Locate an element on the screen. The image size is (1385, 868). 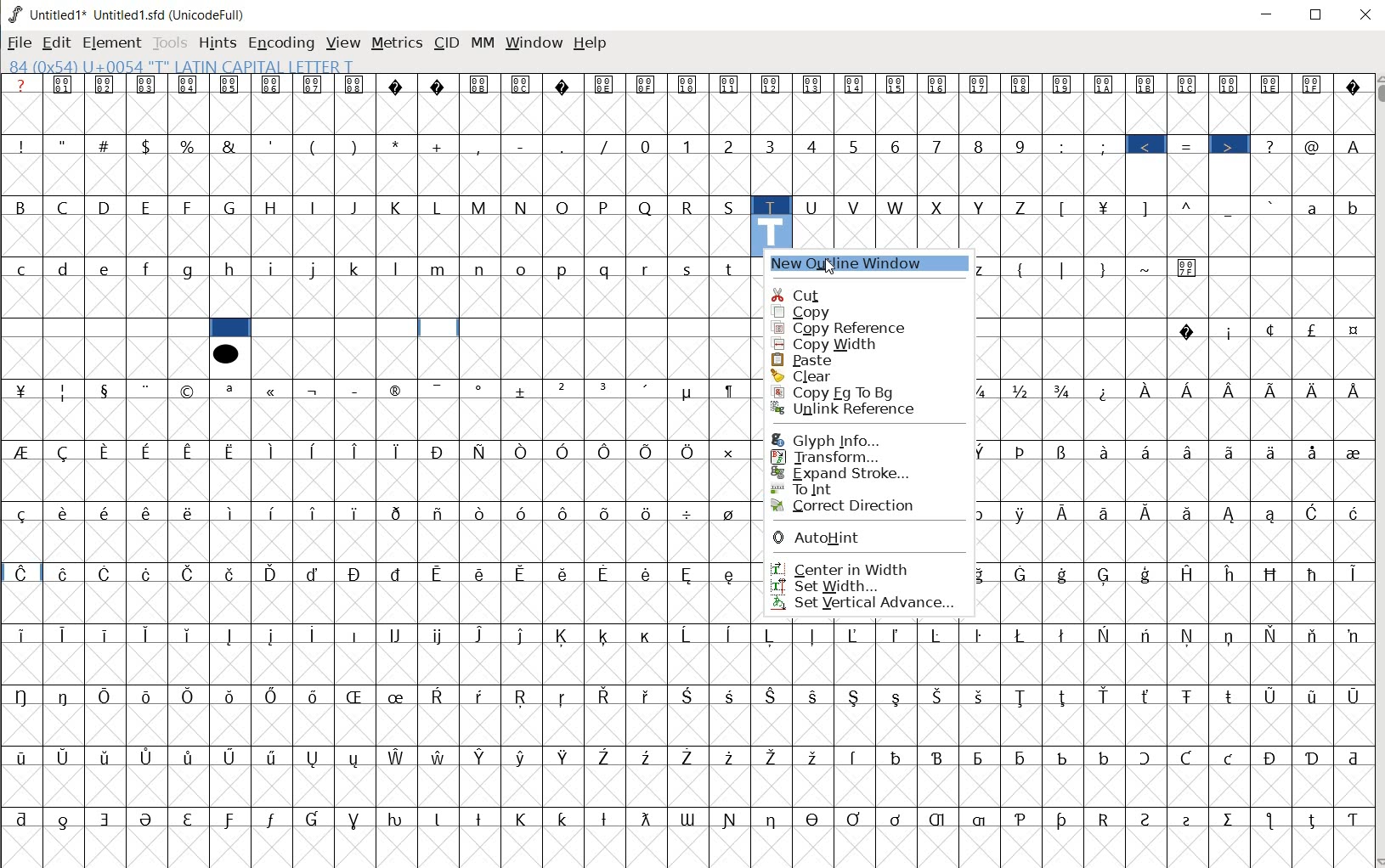
Symbol is located at coordinates (1065, 697).